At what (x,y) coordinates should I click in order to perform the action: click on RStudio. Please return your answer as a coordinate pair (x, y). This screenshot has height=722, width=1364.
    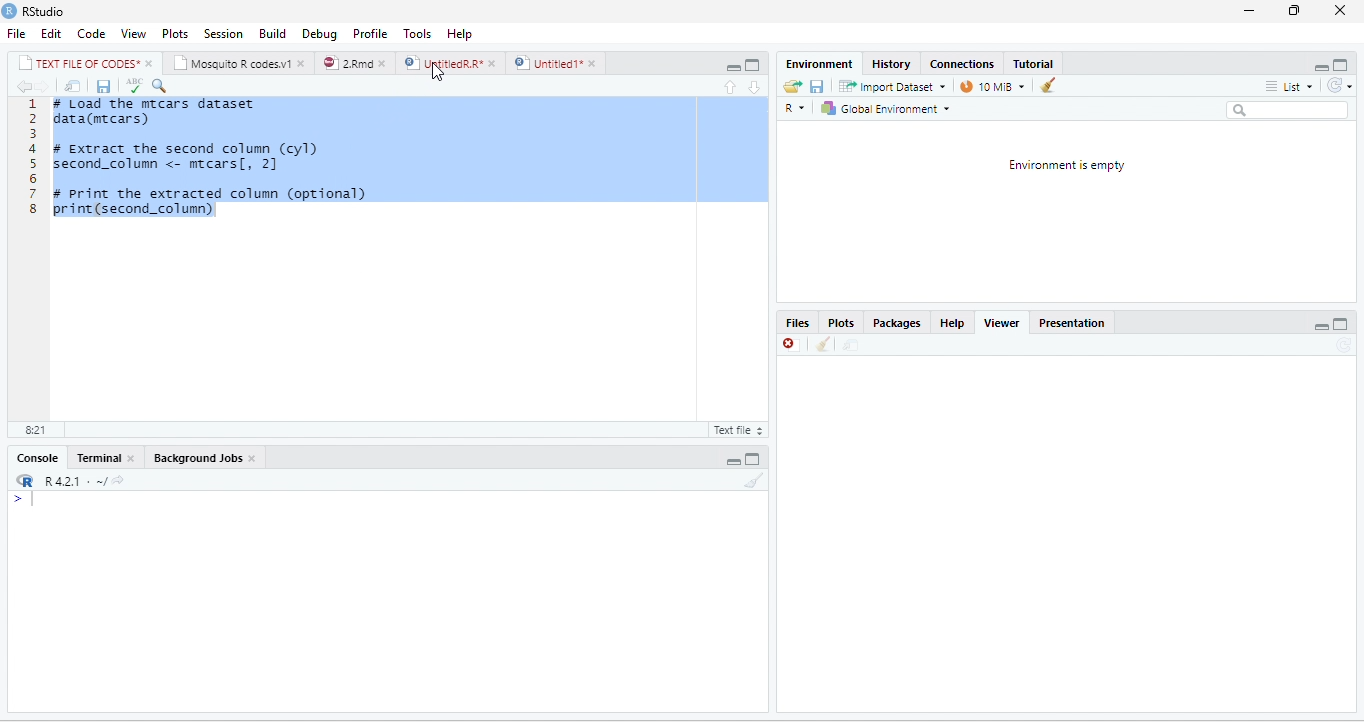
    Looking at the image, I should click on (50, 12).